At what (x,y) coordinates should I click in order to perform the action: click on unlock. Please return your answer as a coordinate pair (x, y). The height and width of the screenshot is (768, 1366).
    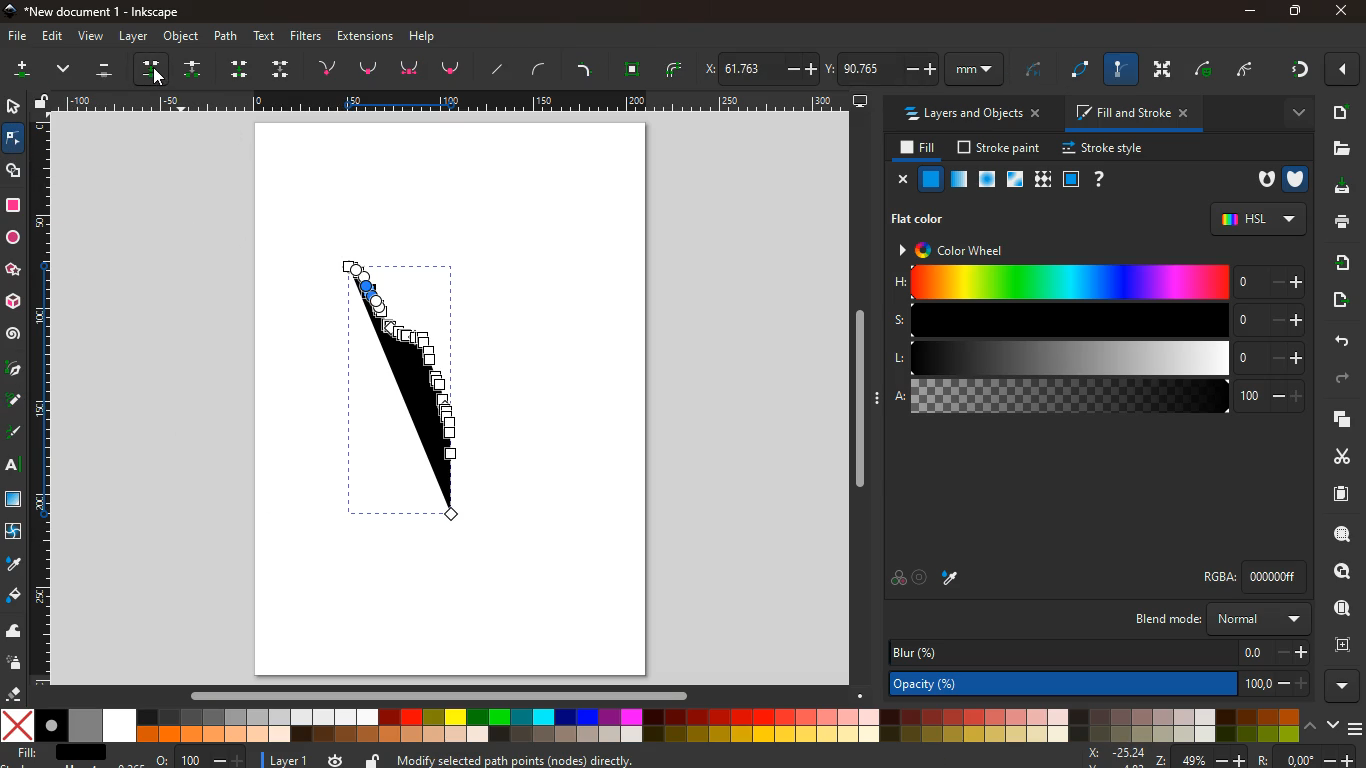
    Looking at the image, I should click on (374, 759).